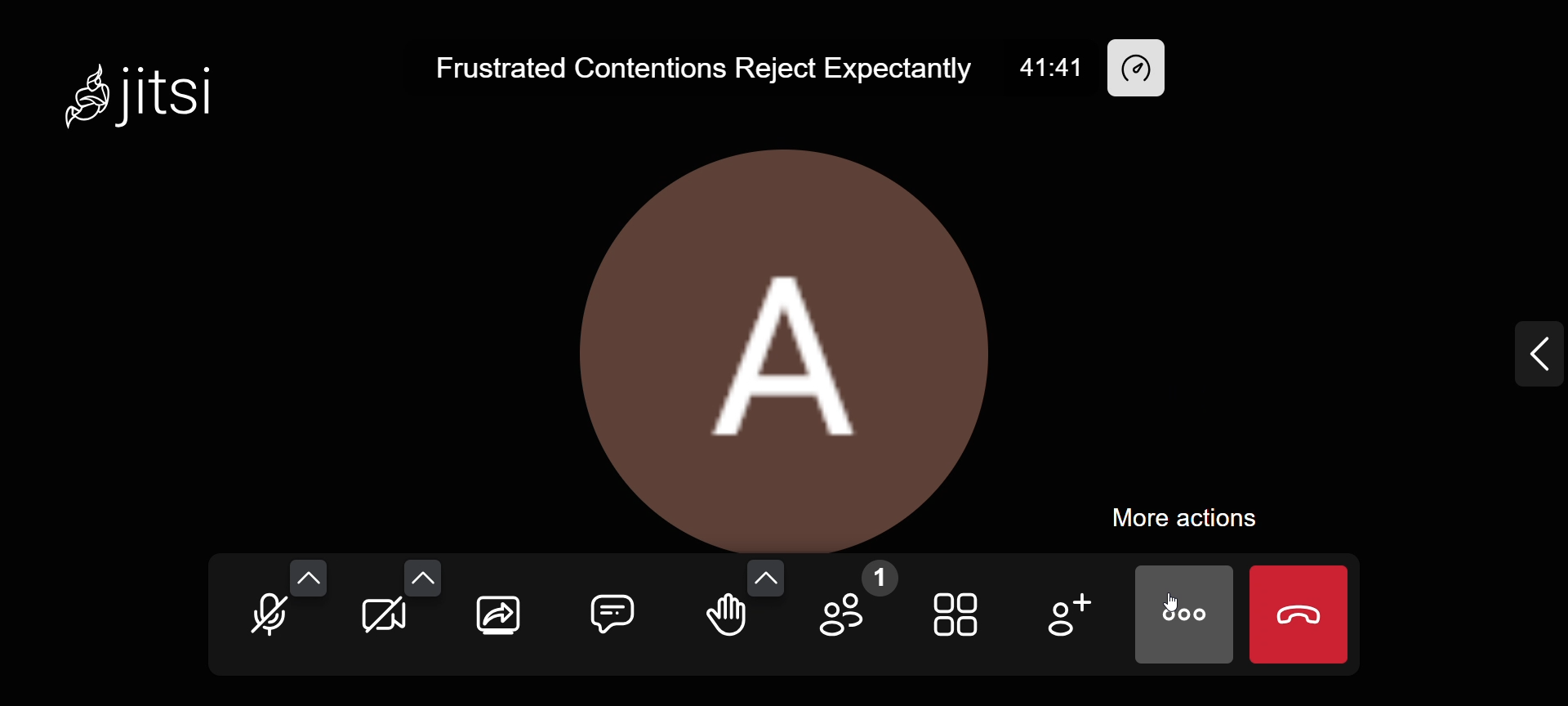  What do you see at coordinates (1294, 614) in the screenshot?
I see `end call` at bounding box center [1294, 614].